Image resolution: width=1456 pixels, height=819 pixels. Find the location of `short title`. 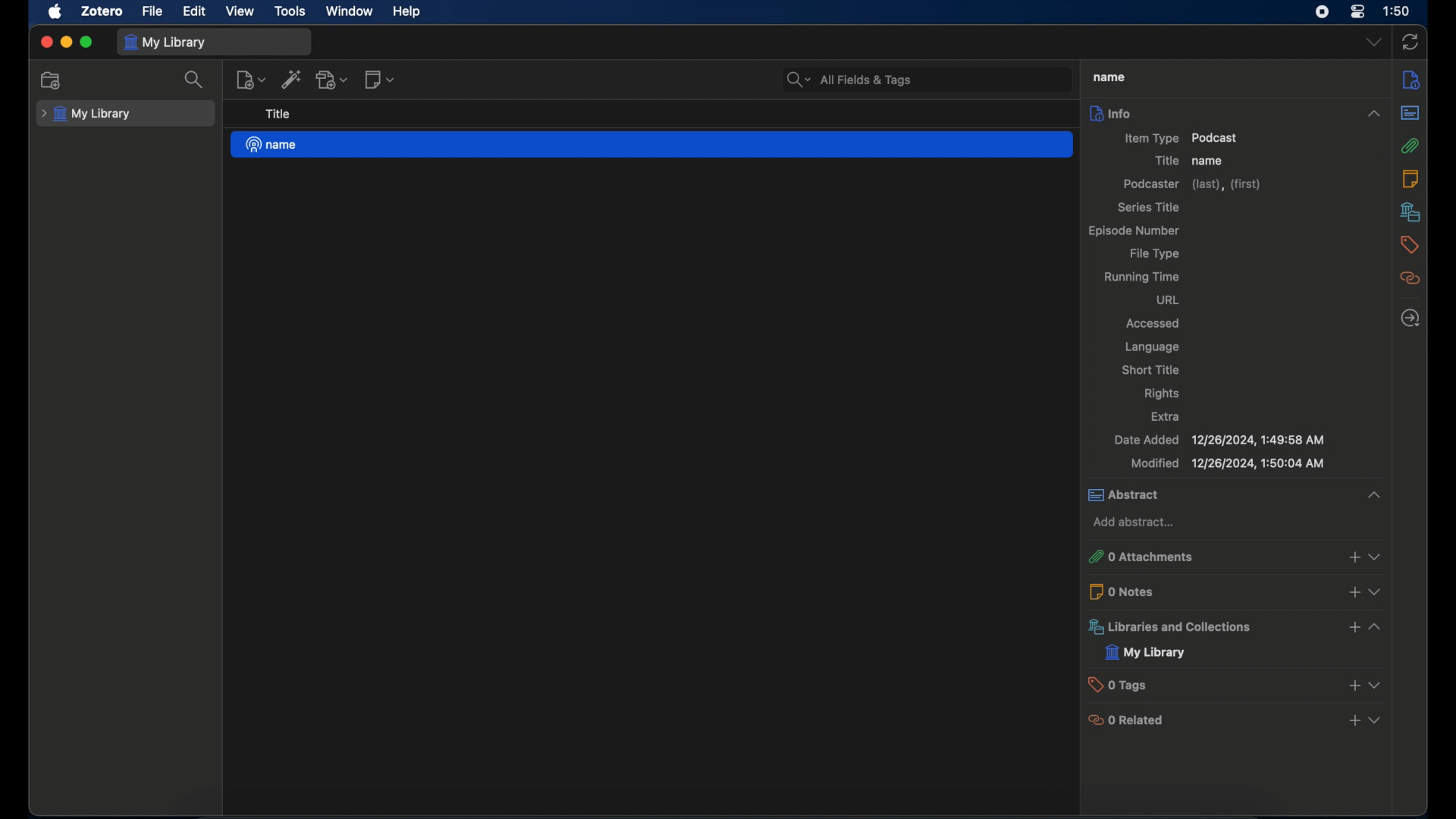

short title is located at coordinates (1152, 369).